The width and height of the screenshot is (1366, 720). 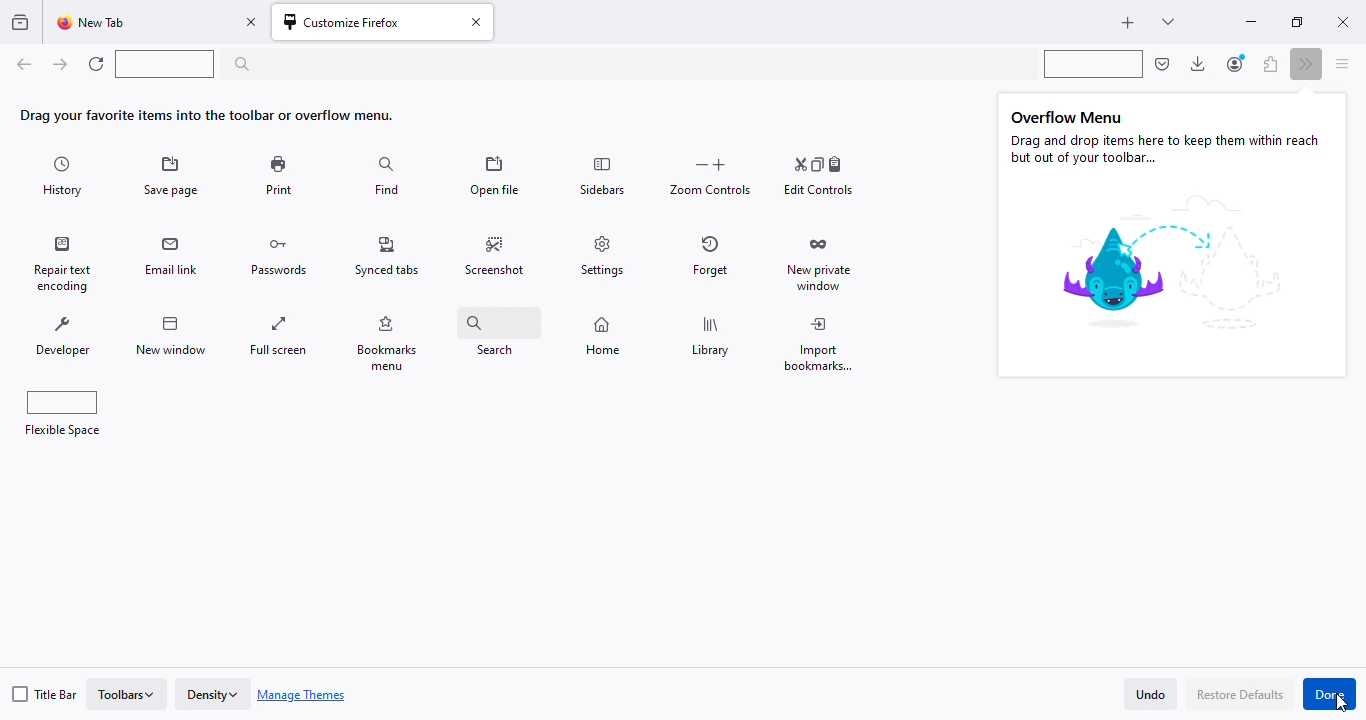 I want to click on close tab, so click(x=252, y=22).